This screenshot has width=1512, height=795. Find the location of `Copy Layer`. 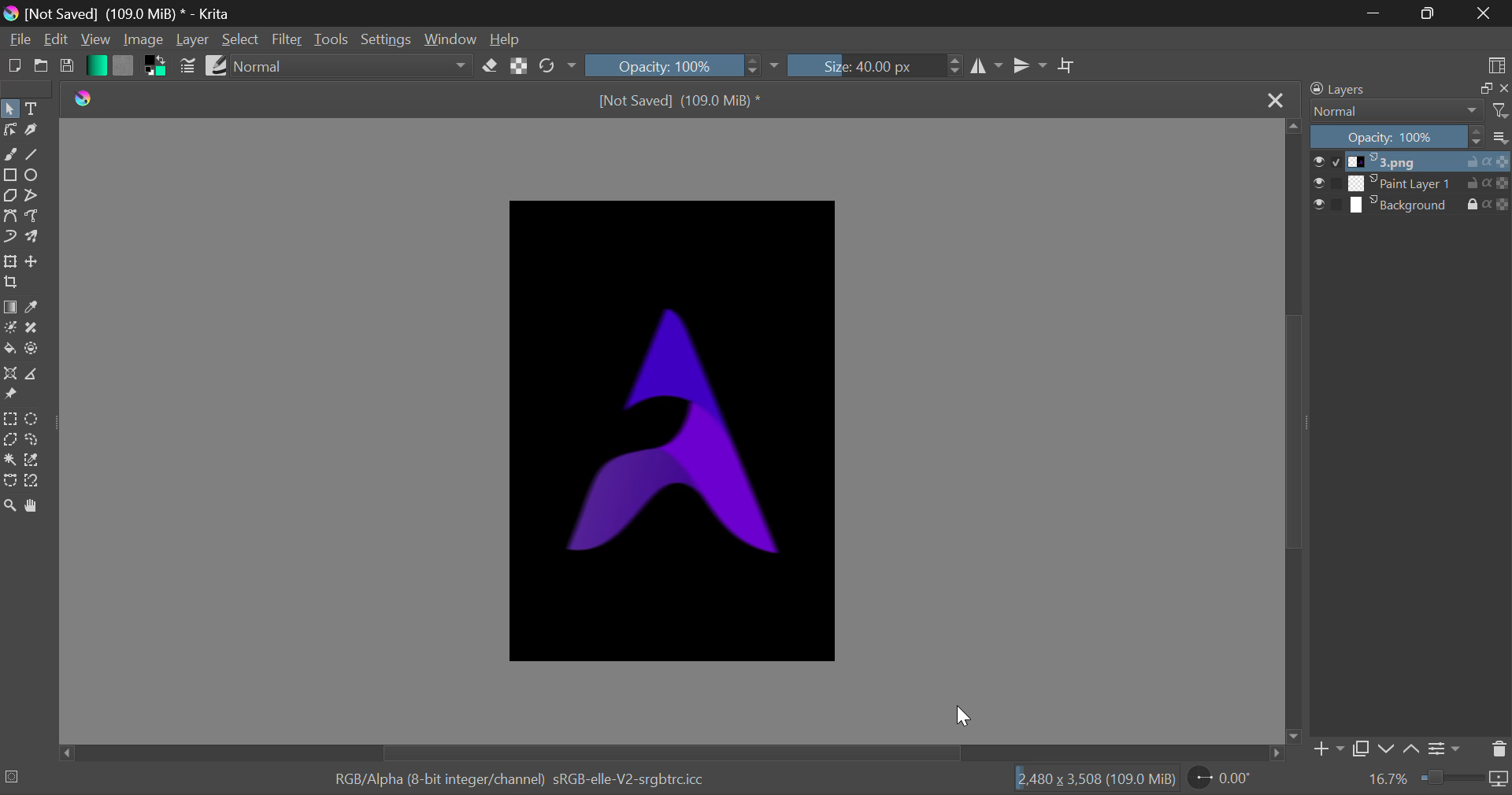

Copy Layer is located at coordinates (1361, 749).